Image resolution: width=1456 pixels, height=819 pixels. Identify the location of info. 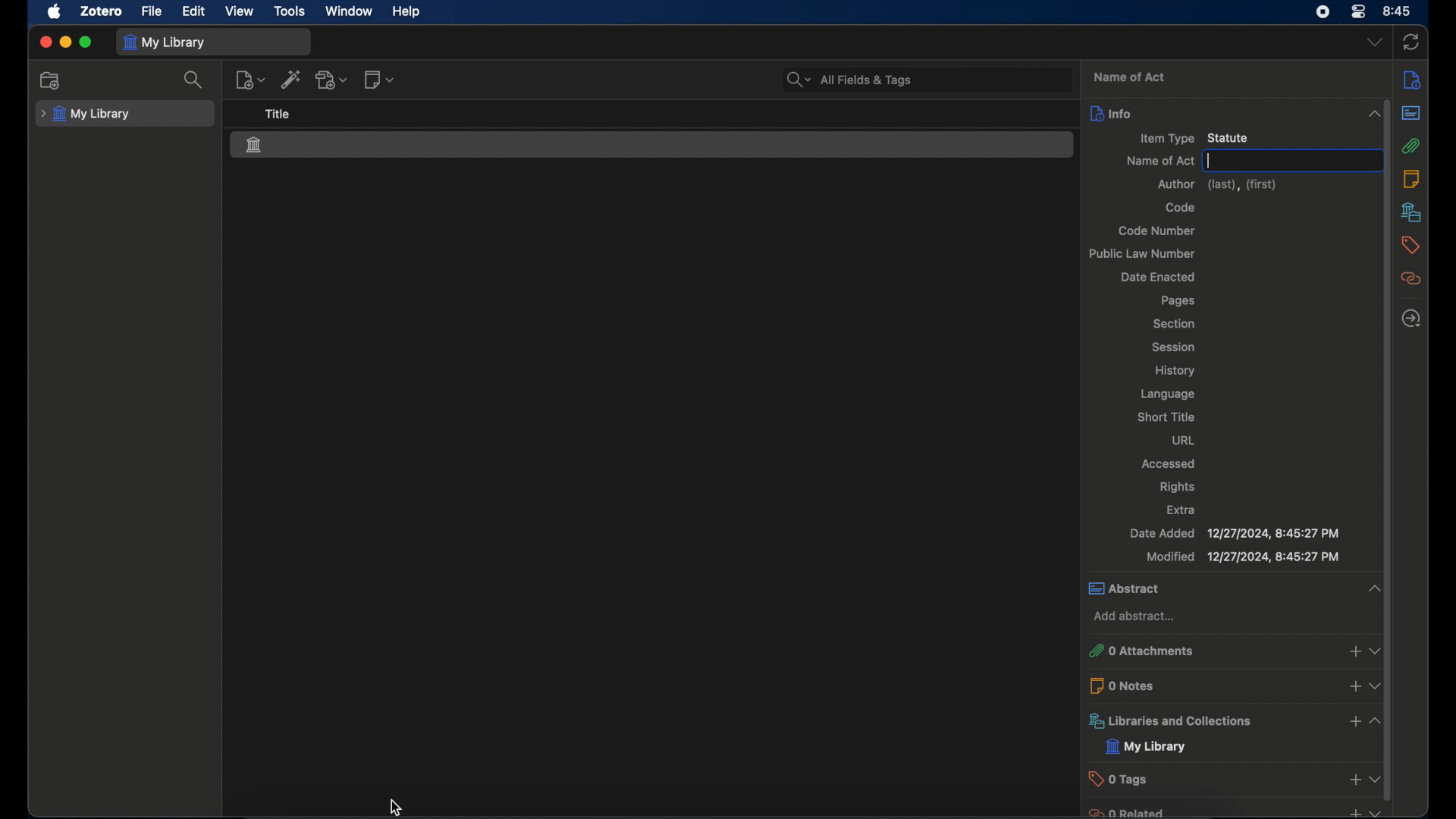
(1414, 80).